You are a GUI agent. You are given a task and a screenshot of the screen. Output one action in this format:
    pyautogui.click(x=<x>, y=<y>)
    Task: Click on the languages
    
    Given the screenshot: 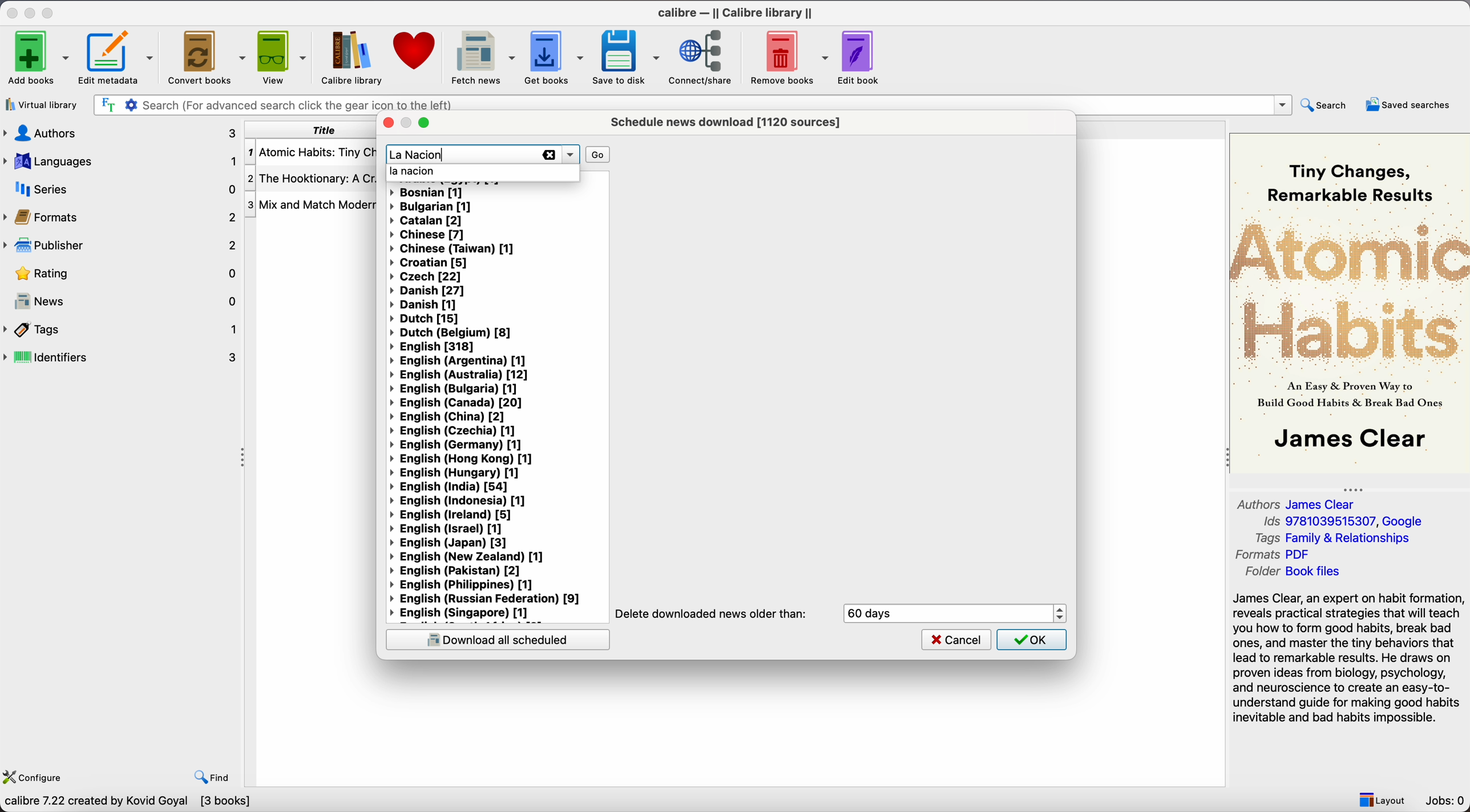 What is the action you would take?
    pyautogui.click(x=122, y=161)
    